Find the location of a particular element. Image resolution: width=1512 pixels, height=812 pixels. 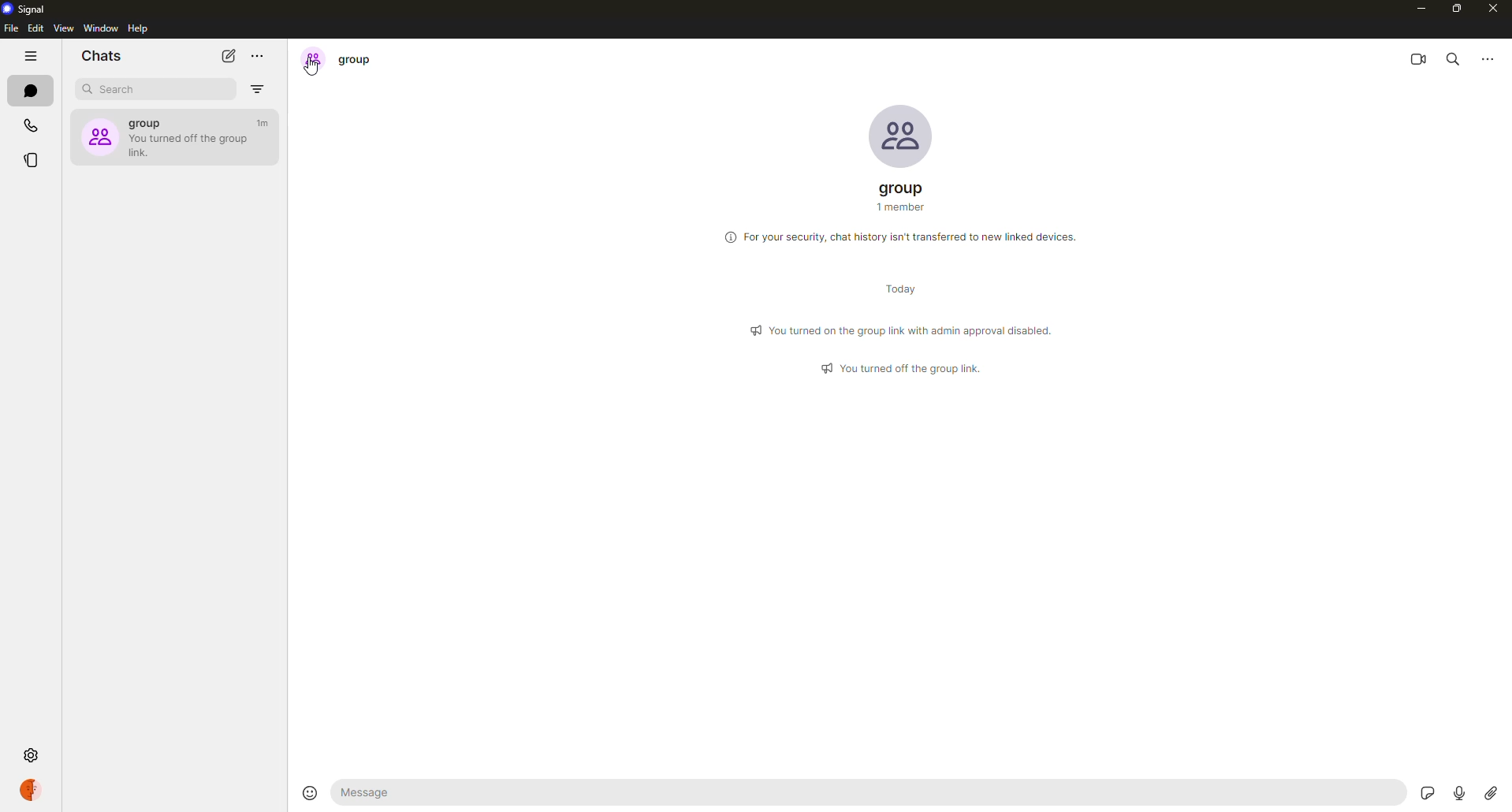

more is located at coordinates (258, 56).